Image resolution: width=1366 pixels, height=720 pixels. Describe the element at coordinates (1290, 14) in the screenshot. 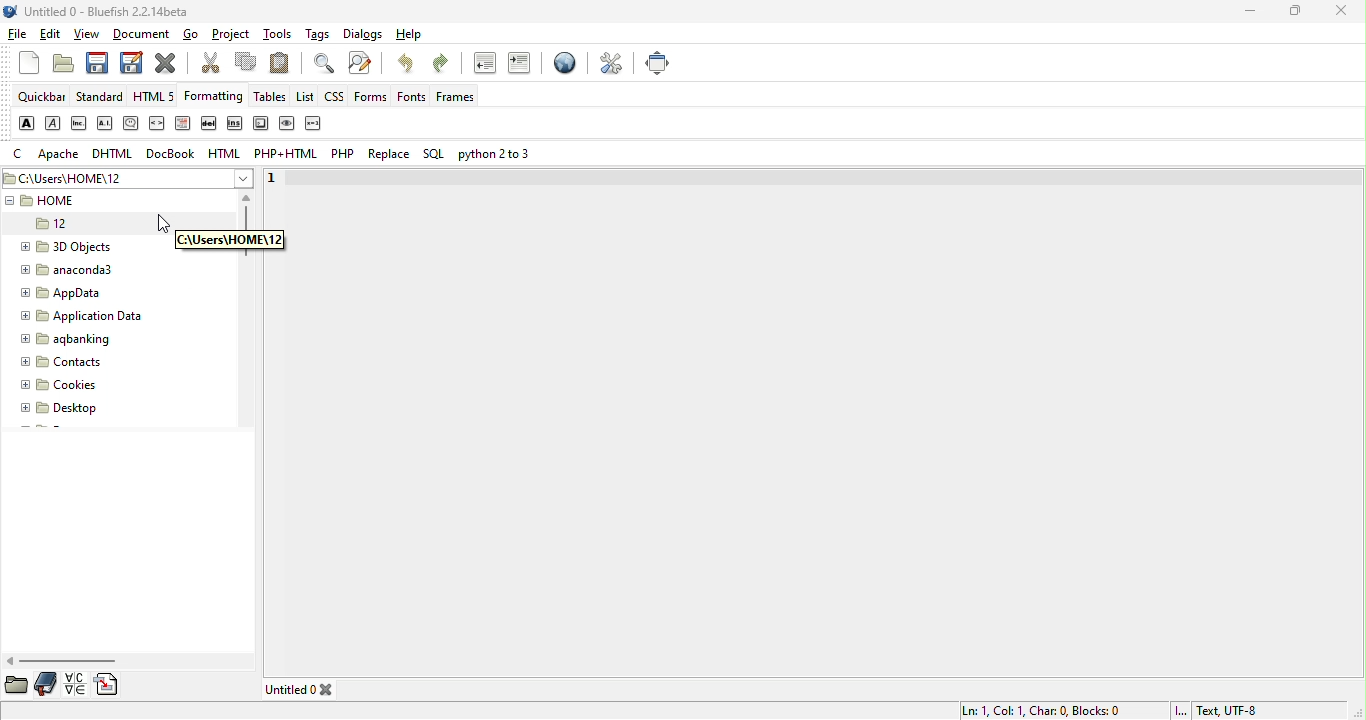

I see `maximize` at that location.